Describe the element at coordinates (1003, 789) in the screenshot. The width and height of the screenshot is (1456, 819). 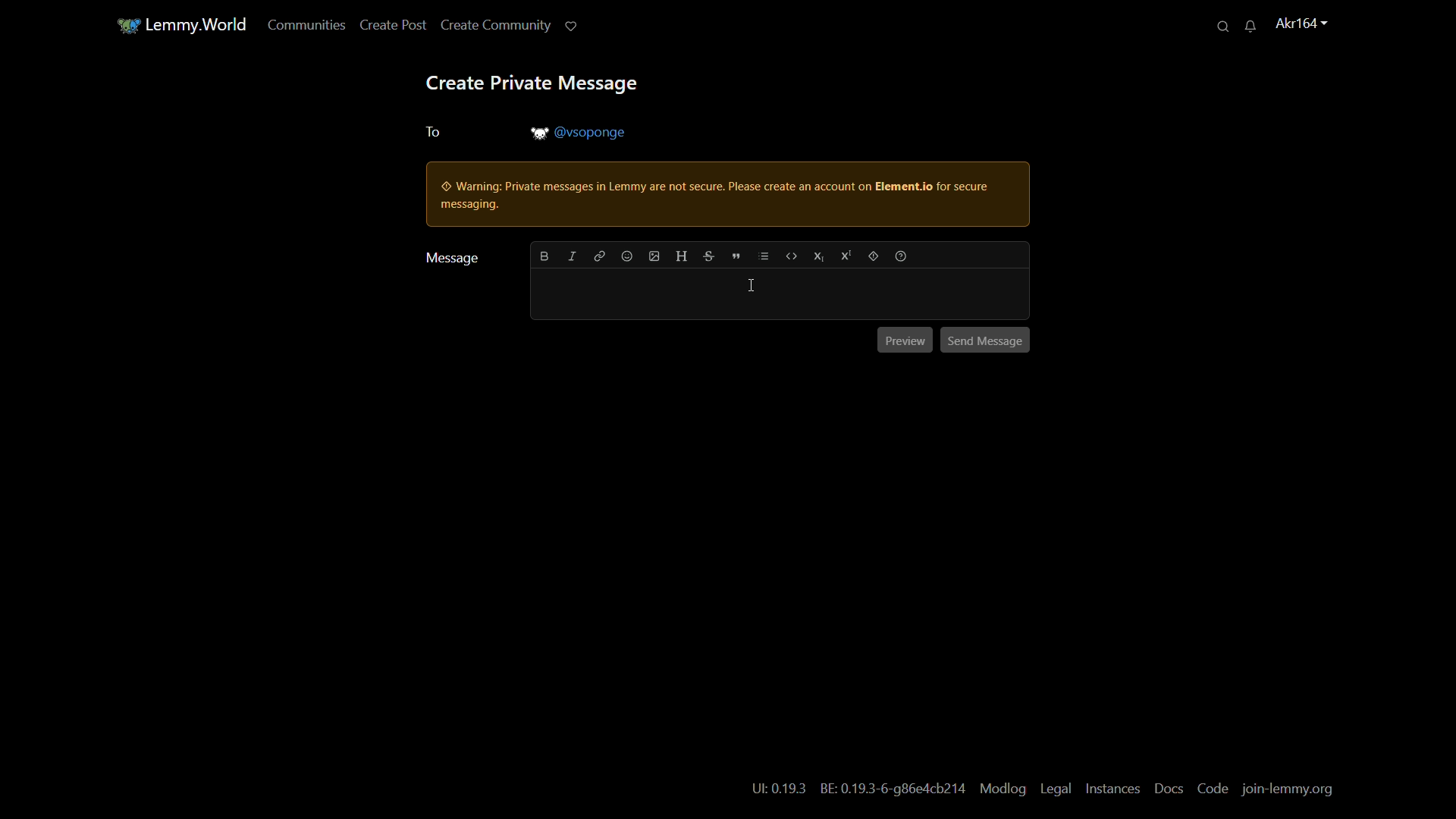
I see `modlog` at that location.